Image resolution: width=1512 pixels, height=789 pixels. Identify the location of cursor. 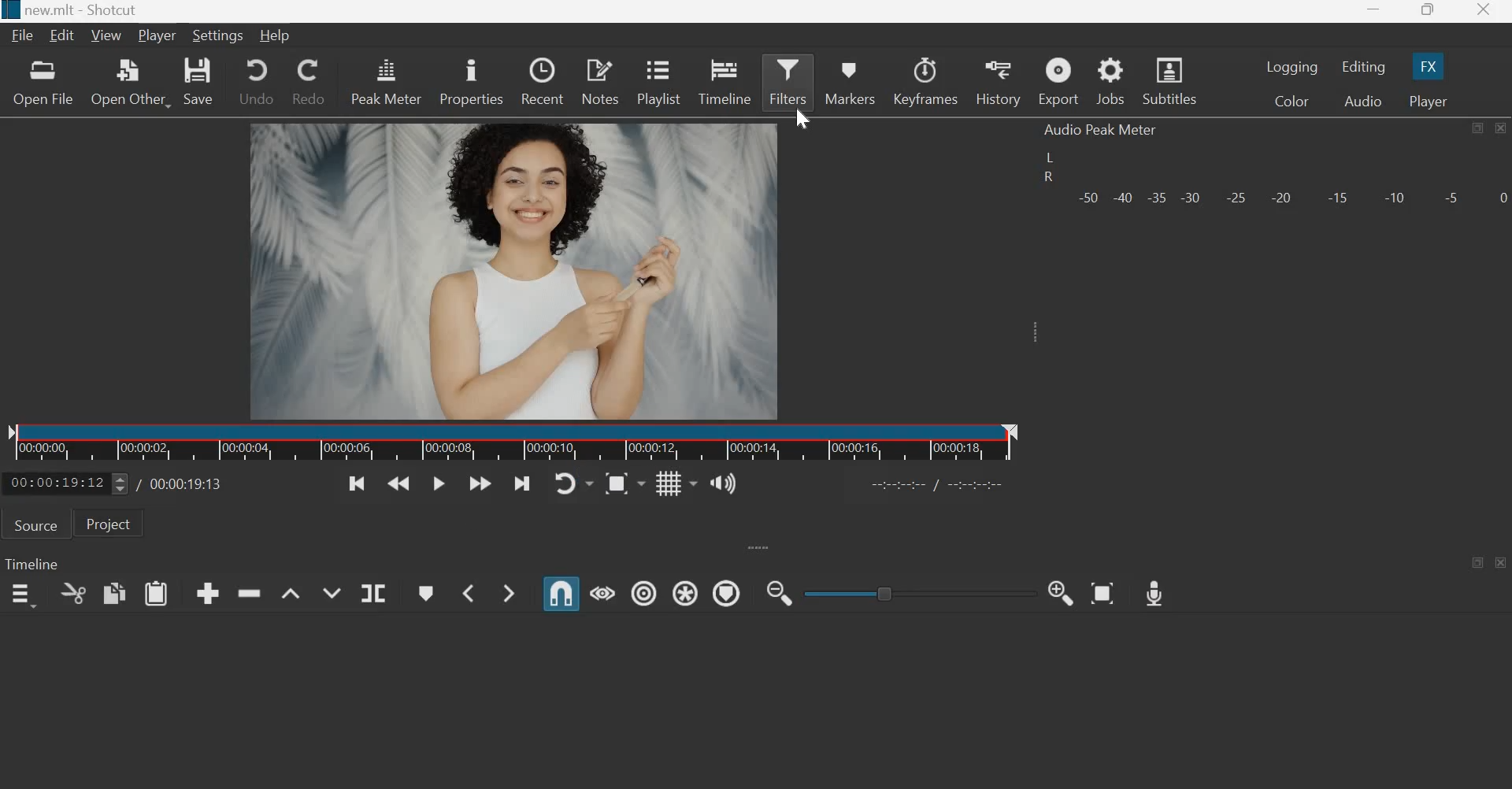
(802, 122).